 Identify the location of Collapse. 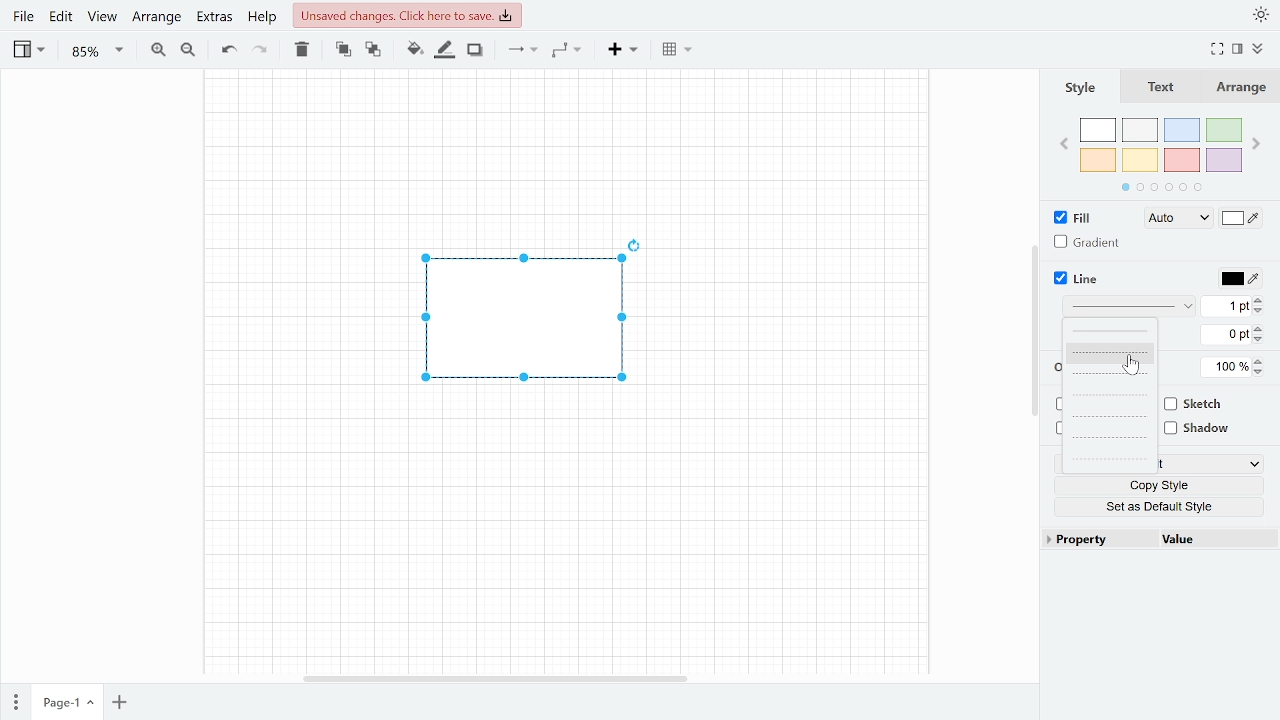
(1259, 49).